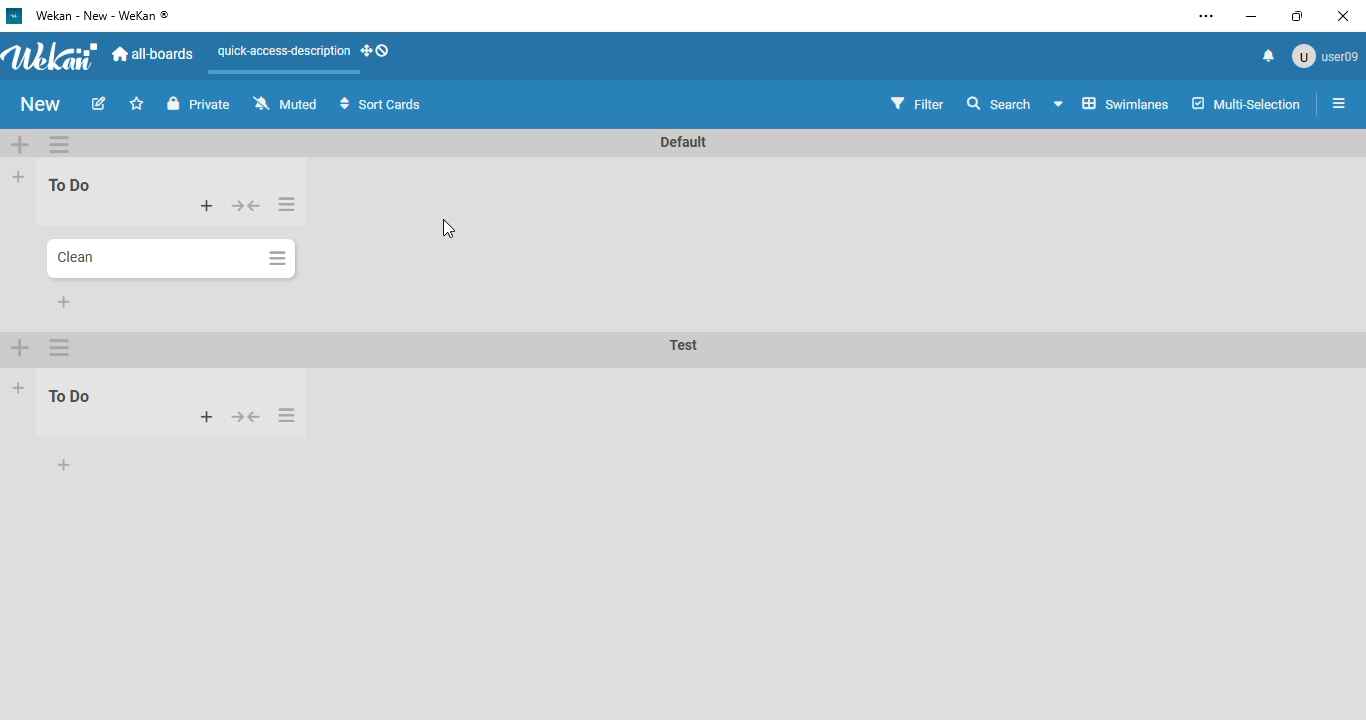 The image size is (1366, 720). What do you see at coordinates (207, 417) in the screenshot?
I see `add card to top of list` at bounding box center [207, 417].